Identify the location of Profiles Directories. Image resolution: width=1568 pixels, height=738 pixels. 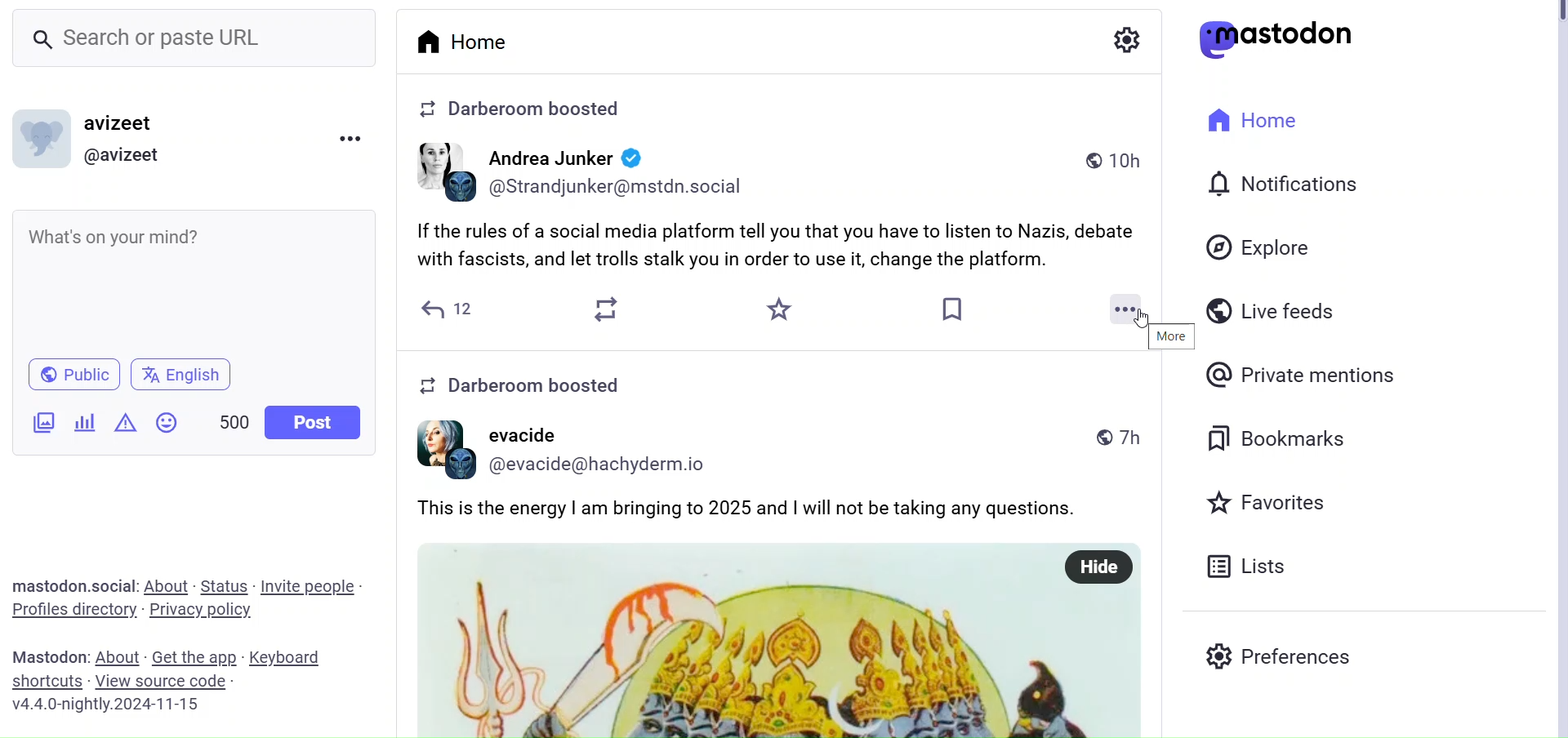
(73, 612).